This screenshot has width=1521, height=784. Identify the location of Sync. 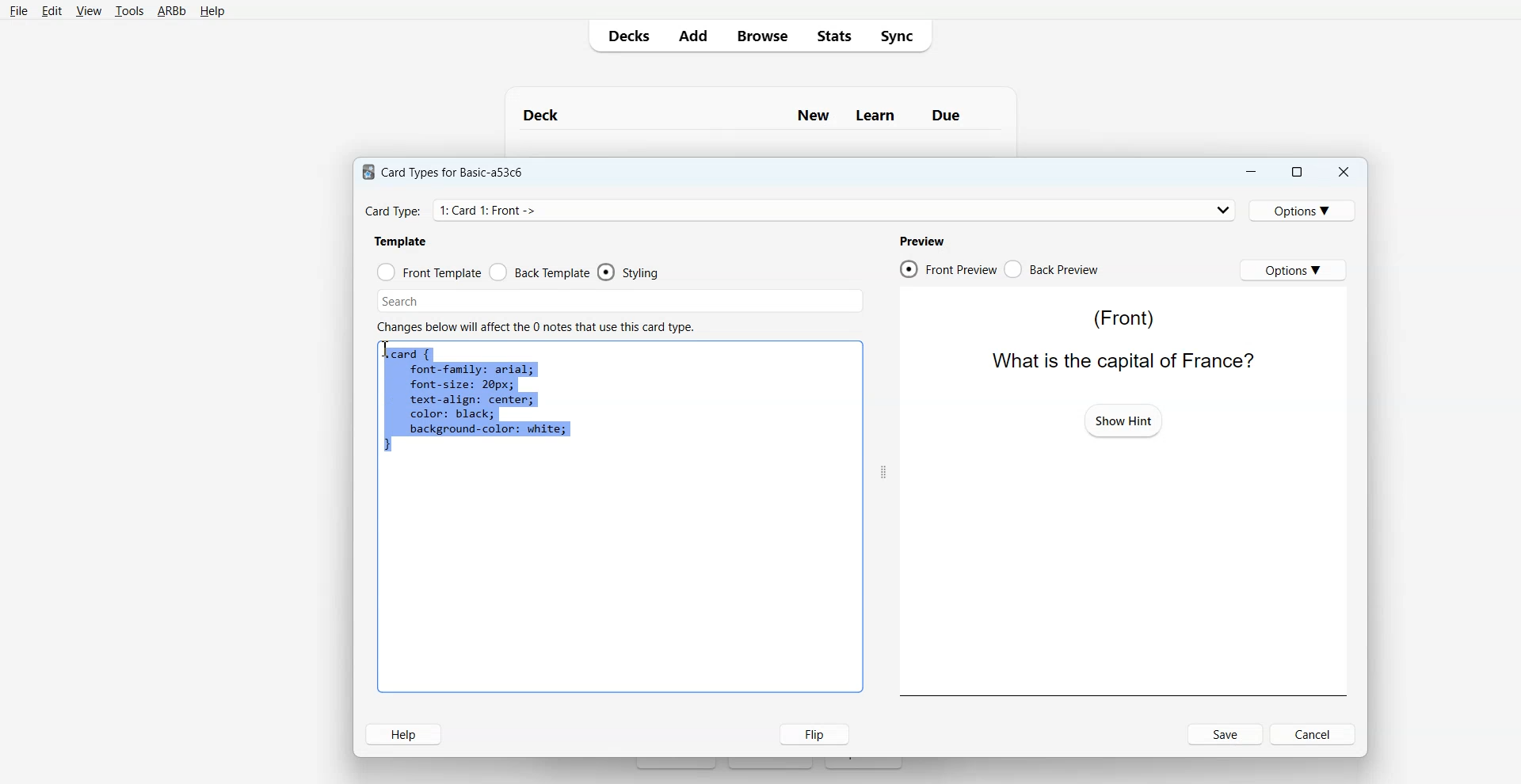
(902, 35).